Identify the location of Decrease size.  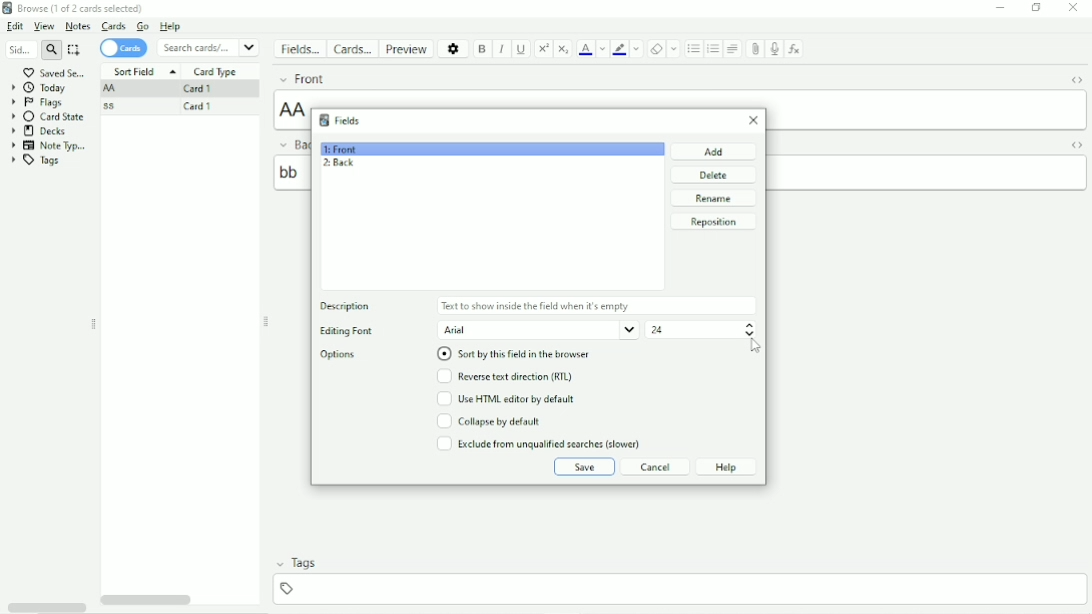
(749, 334).